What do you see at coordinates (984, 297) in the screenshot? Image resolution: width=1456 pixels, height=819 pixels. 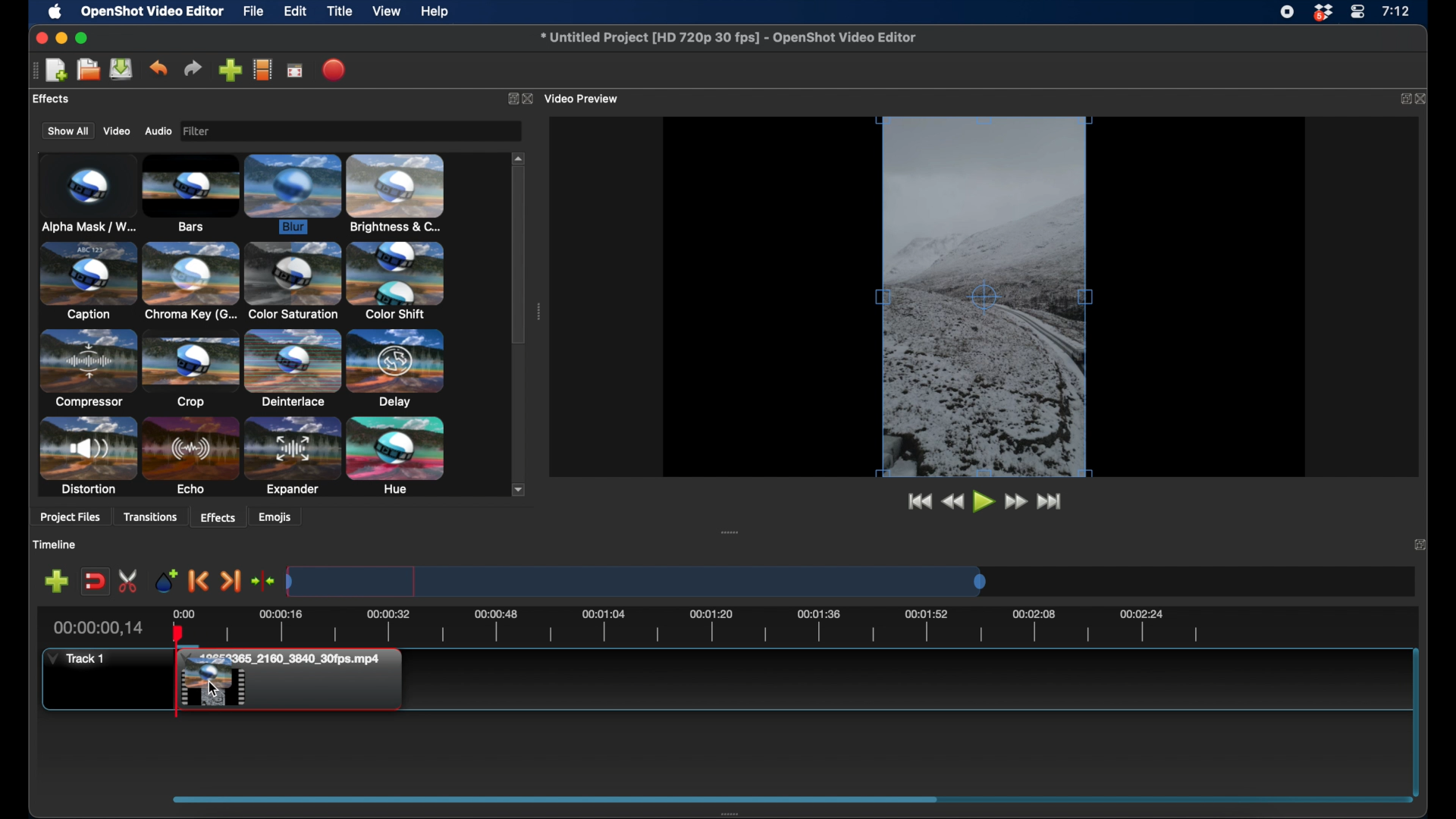 I see `video preview` at bounding box center [984, 297].